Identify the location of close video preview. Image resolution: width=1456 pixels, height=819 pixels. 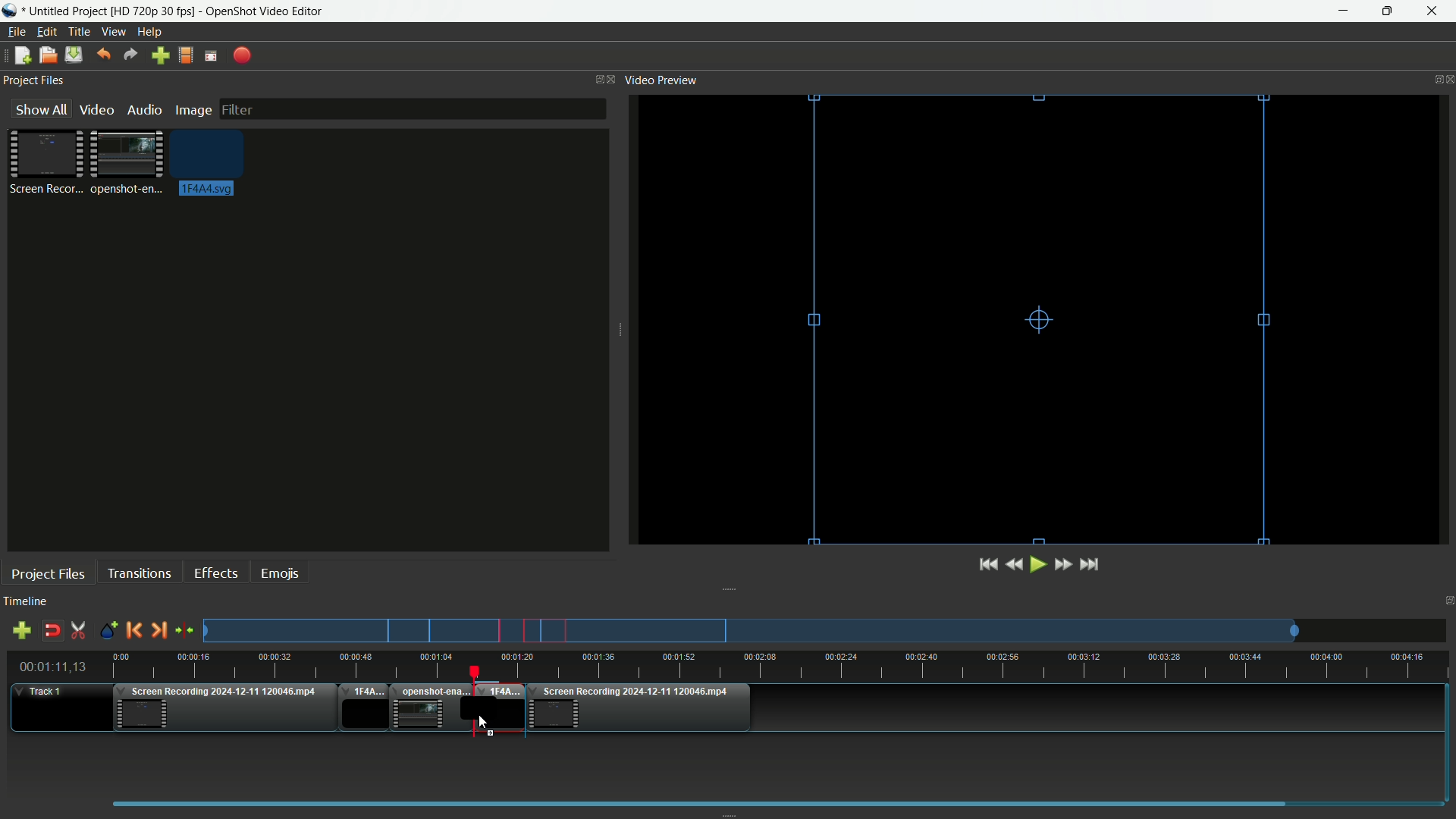
(1447, 78).